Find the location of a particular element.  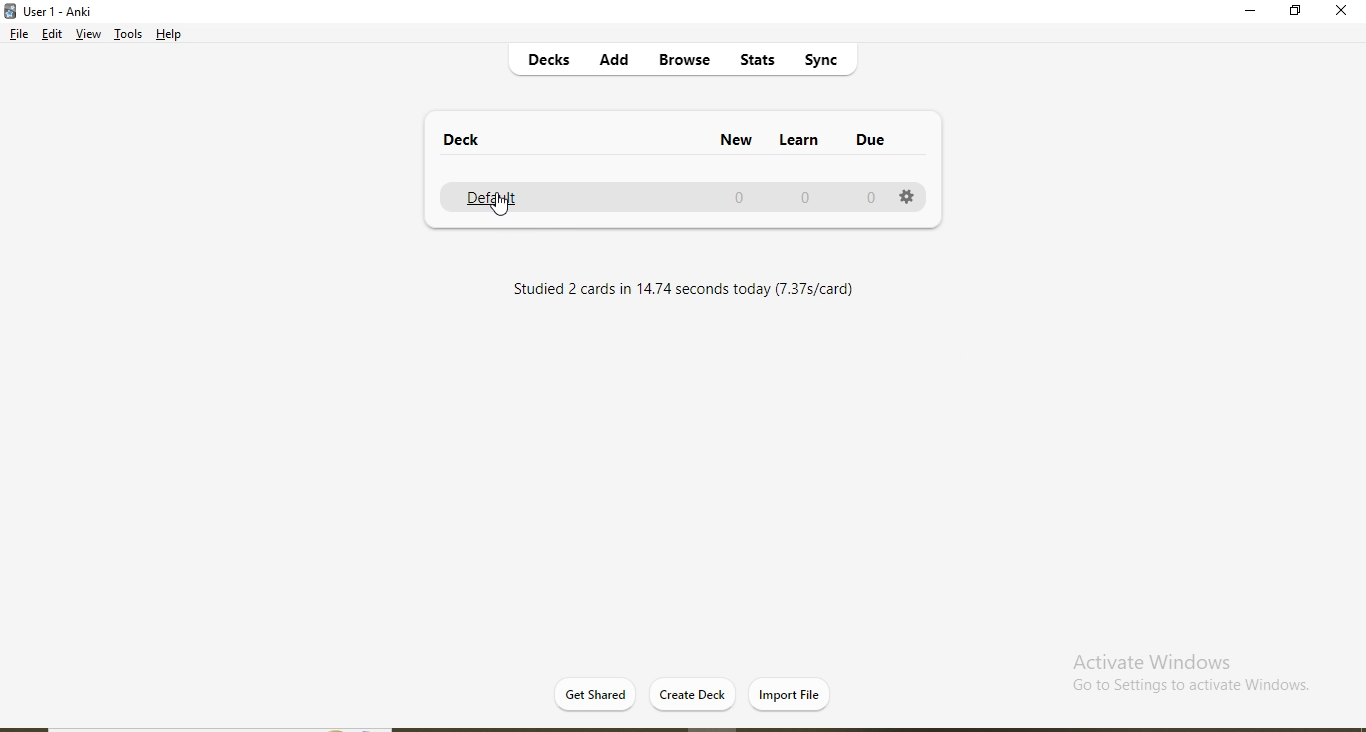

Studied 2 cards in 14.74 seconds today (7.37s/card) is located at coordinates (687, 290).